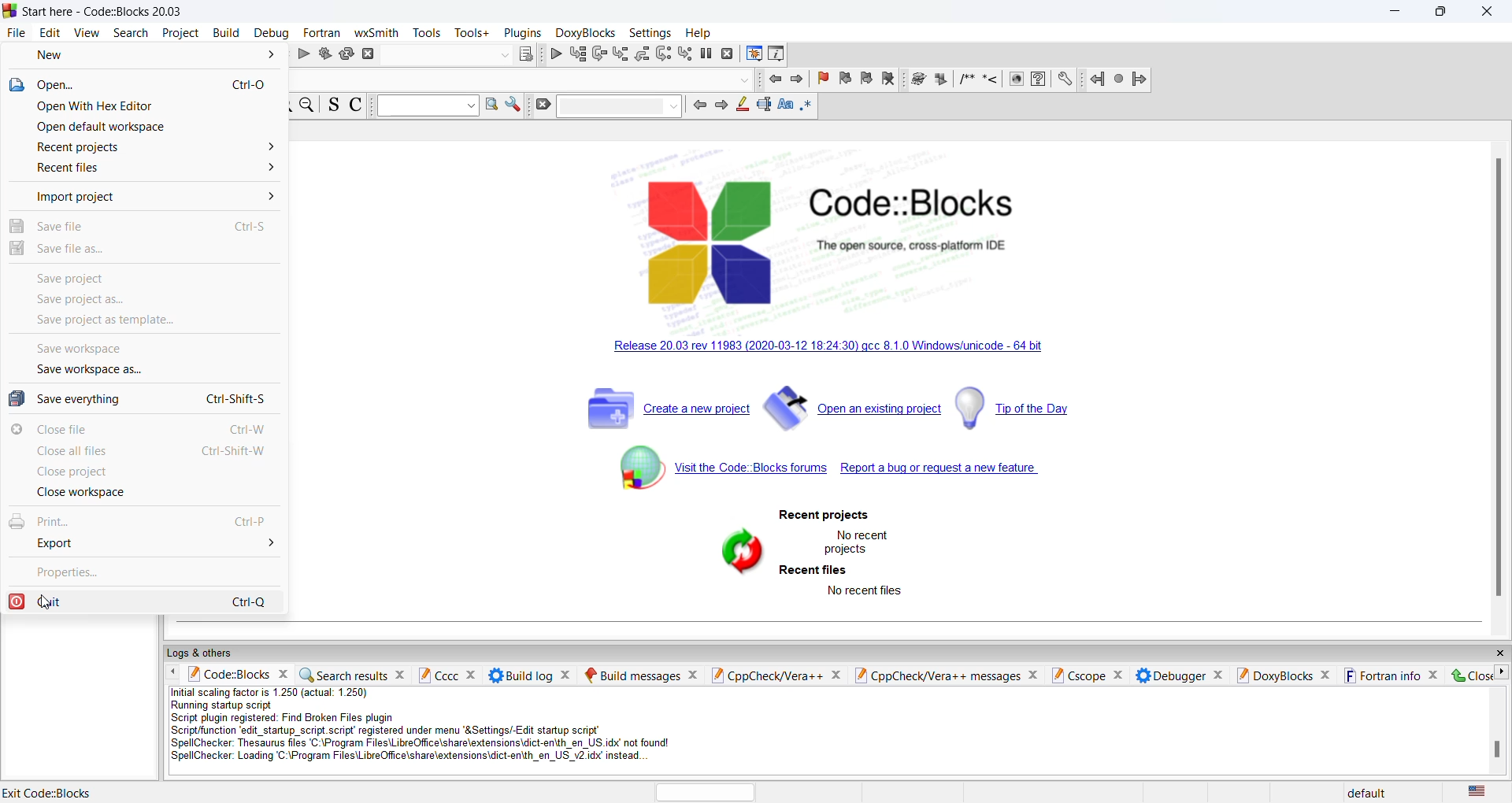 The image size is (1512, 803). Describe the element at coordinates (143, 475) in the screenshot. I see `close project` at that location.